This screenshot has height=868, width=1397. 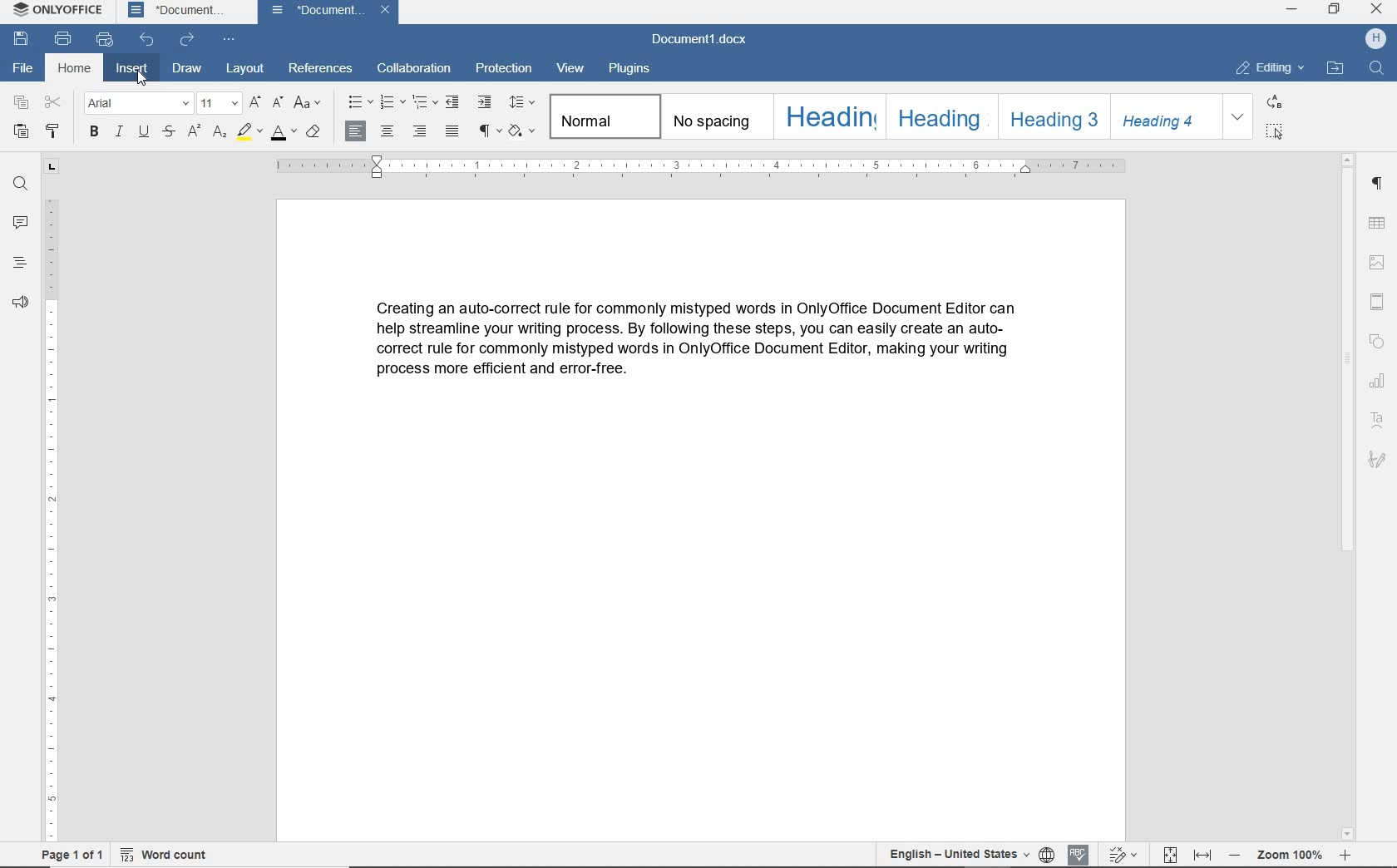 What do you see at coordinates (1202, 856) in the screenshot?
I see `fit to width` at bounding box center [1202, 856].